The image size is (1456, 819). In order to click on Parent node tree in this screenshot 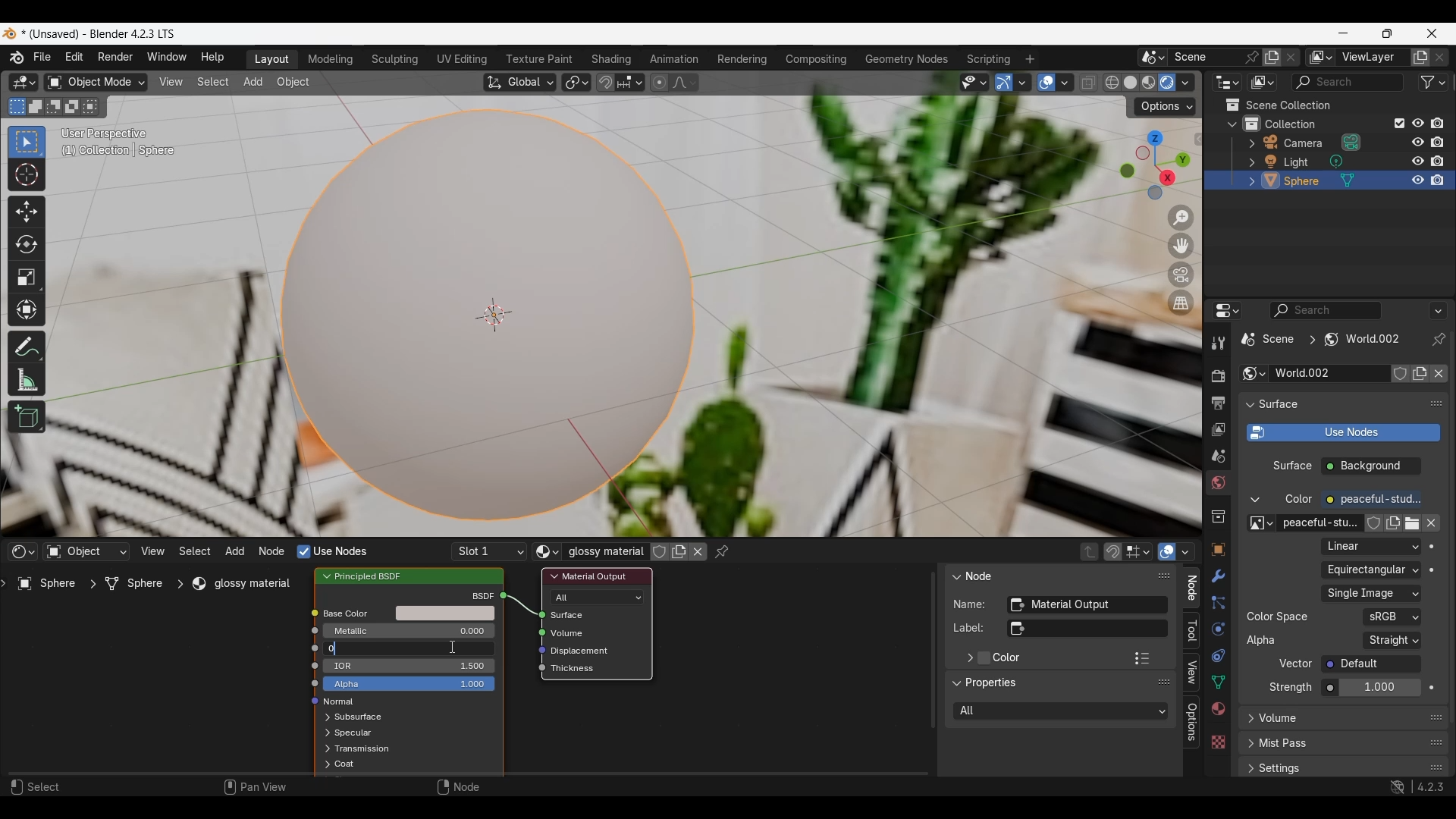, I will do `click(1090, 551)`.